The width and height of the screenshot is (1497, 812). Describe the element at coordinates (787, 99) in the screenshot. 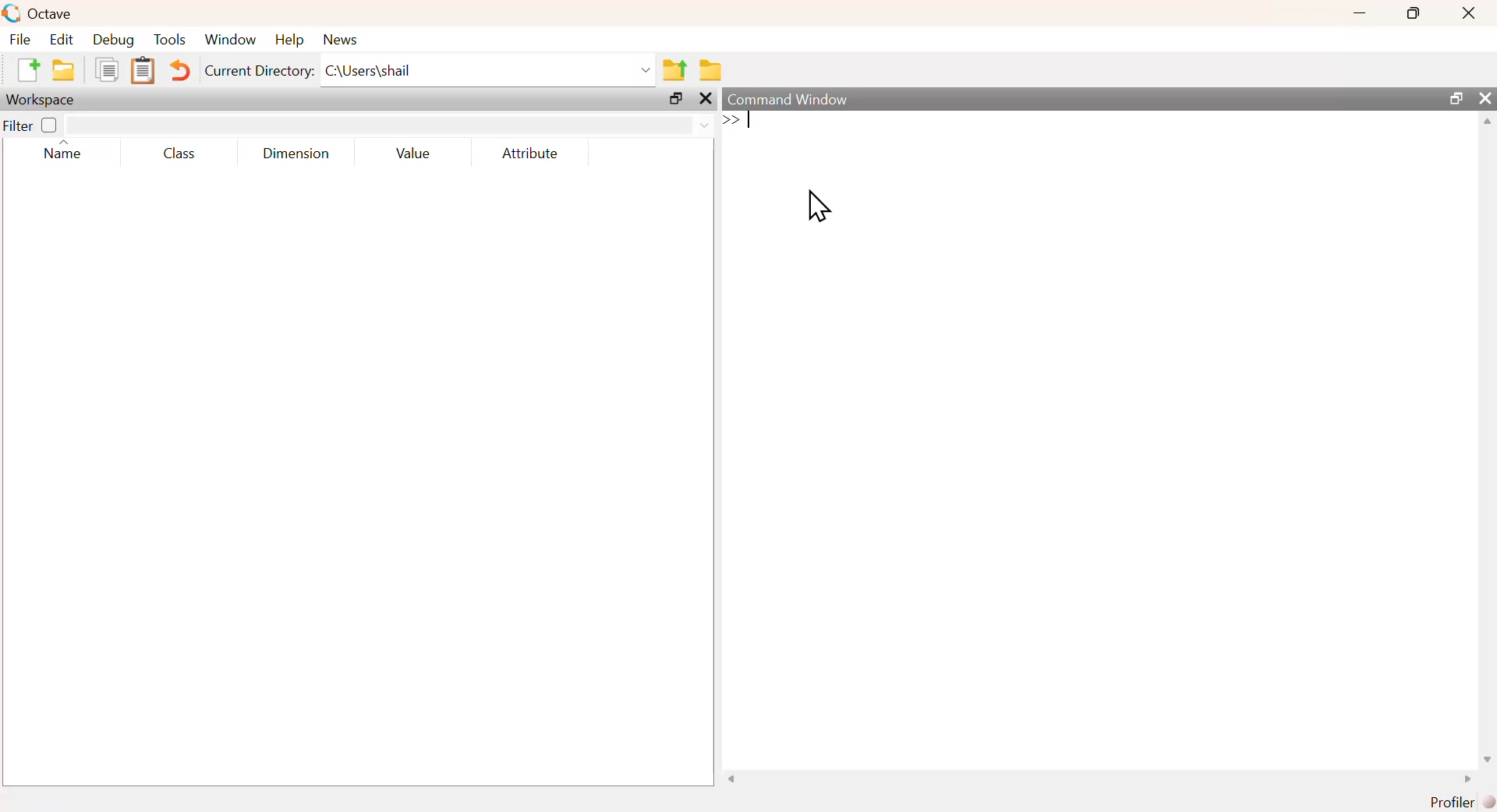

I see `Command Window` at that location.